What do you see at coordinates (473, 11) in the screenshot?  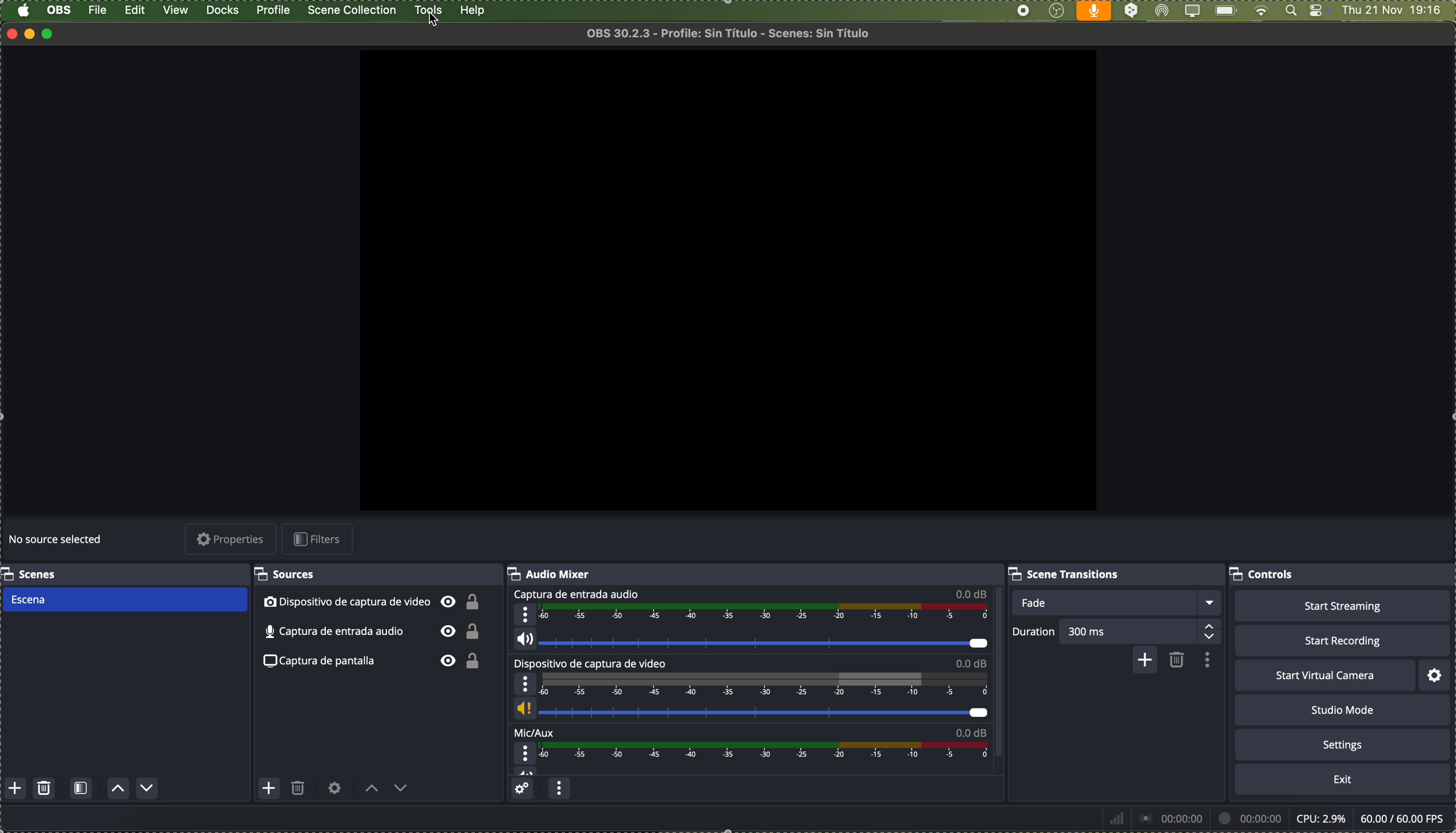 I see `help` at bounding box center [473, 11].